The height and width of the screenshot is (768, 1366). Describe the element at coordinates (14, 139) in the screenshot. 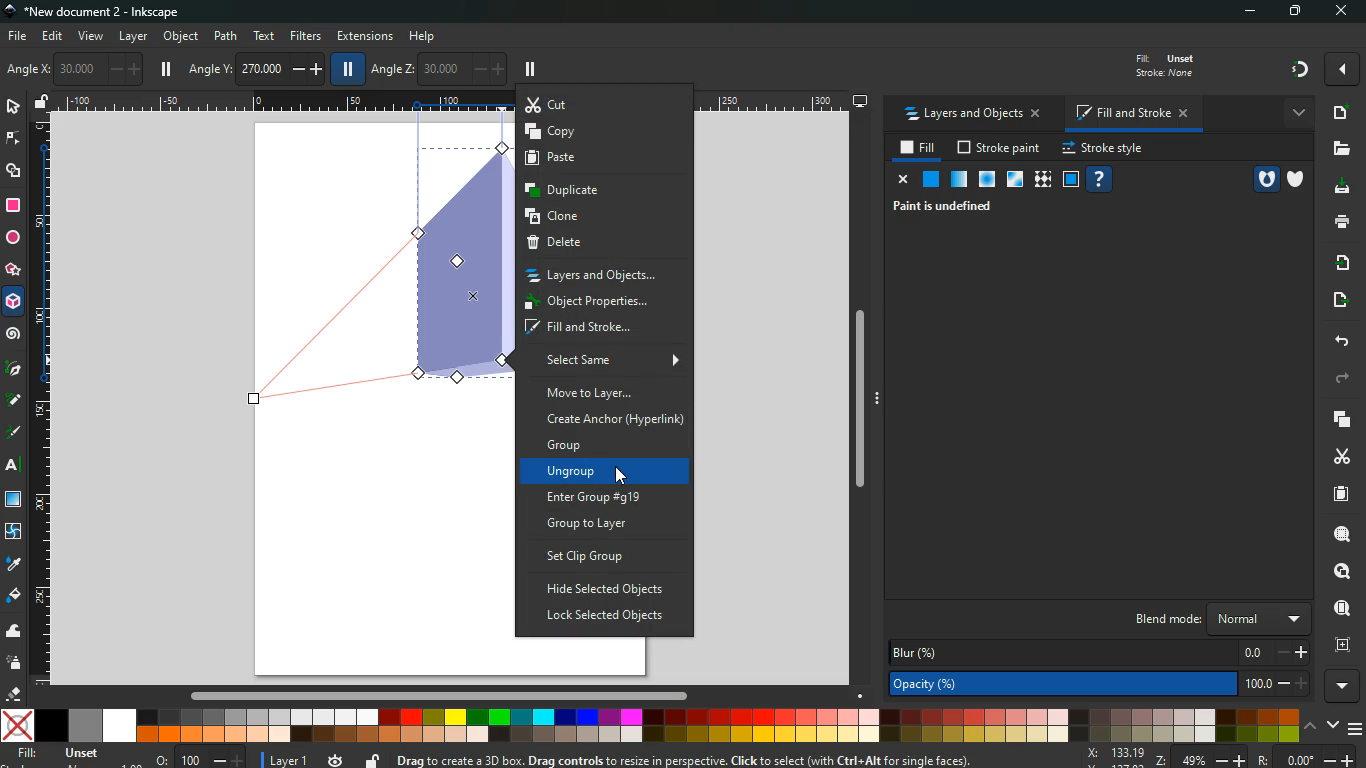

I see `edge` at that location.